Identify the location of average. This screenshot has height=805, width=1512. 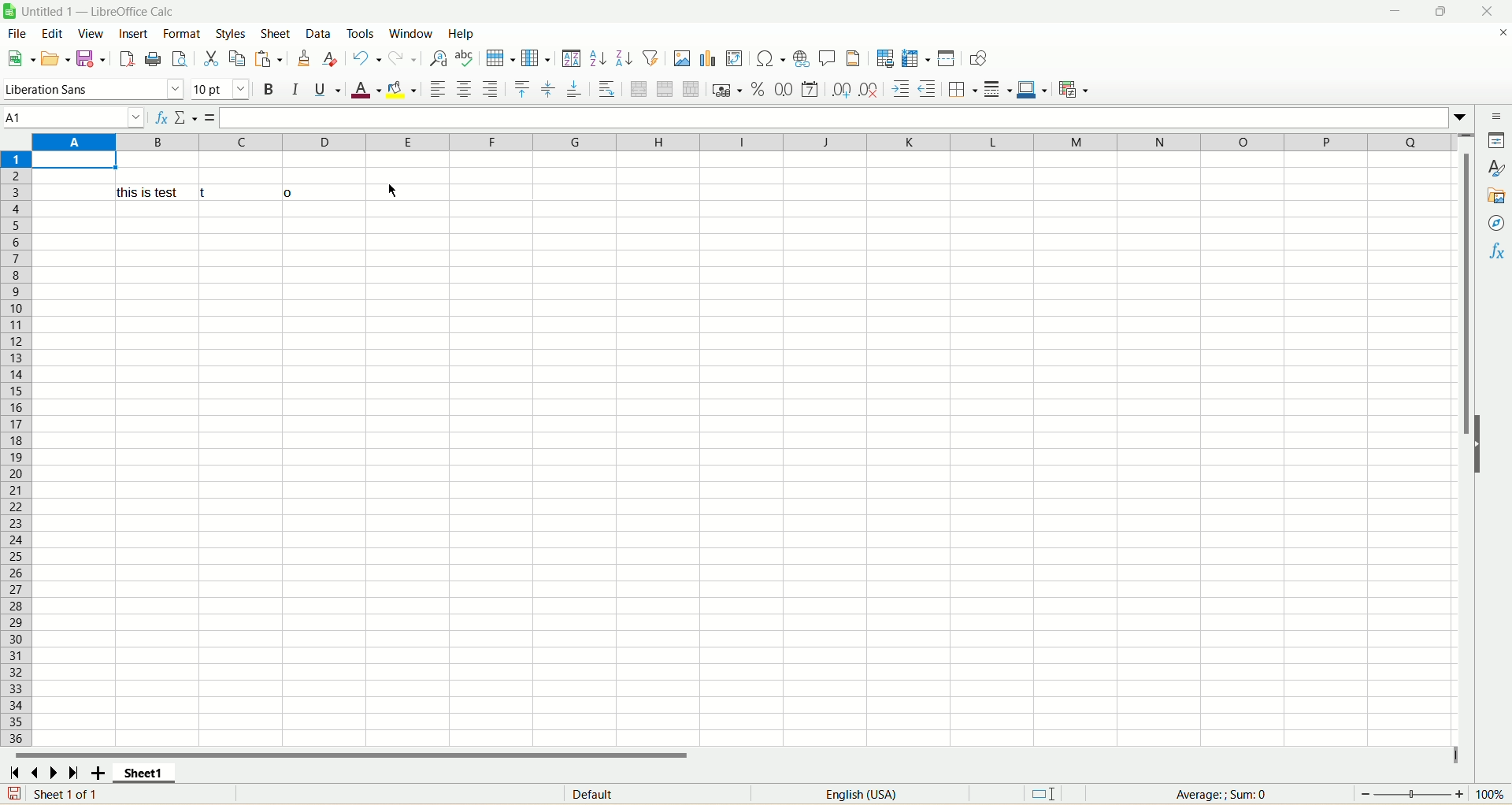
(1218, 794).